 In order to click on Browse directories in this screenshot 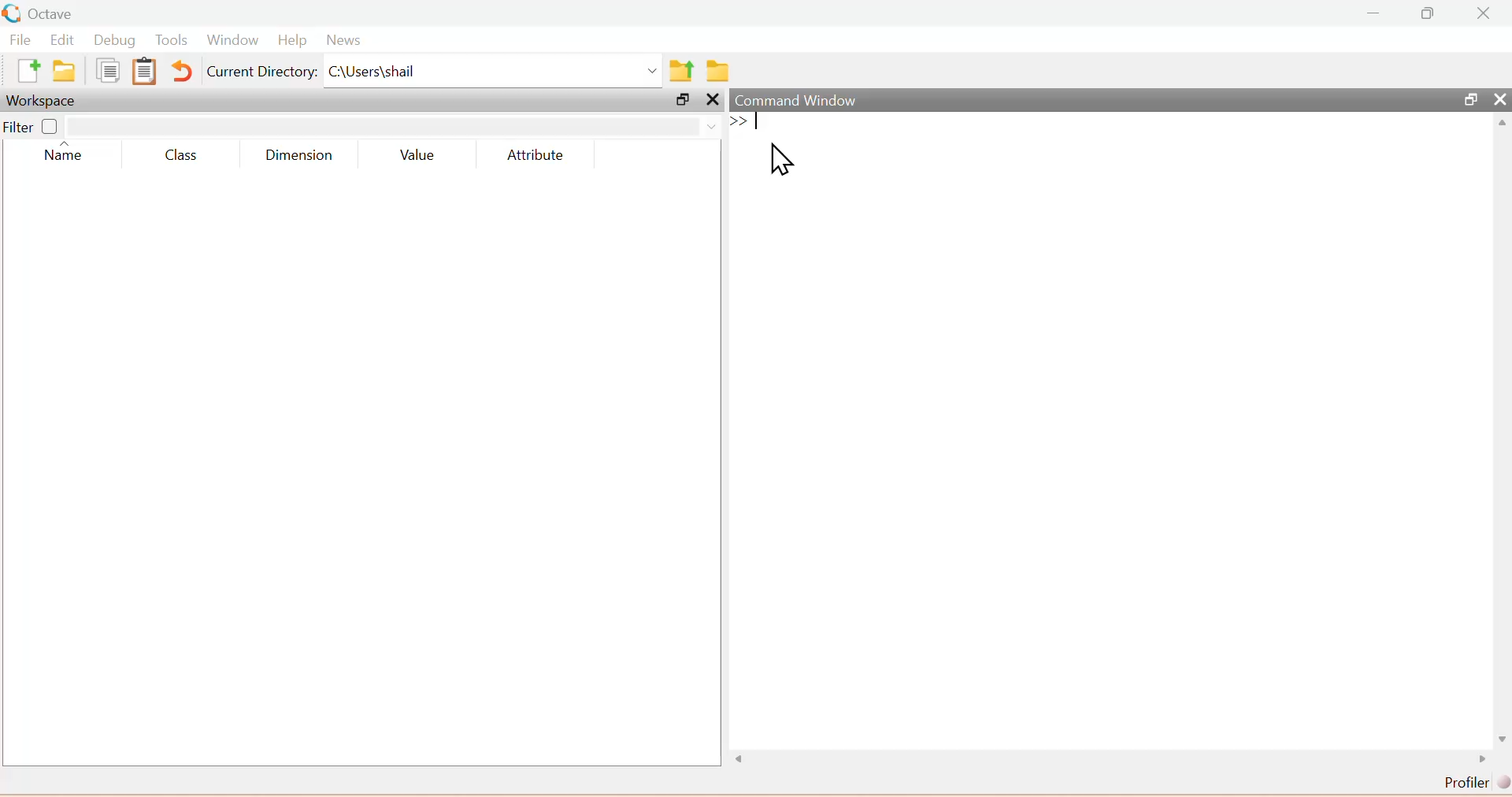, I will do `click(717, 72)`.